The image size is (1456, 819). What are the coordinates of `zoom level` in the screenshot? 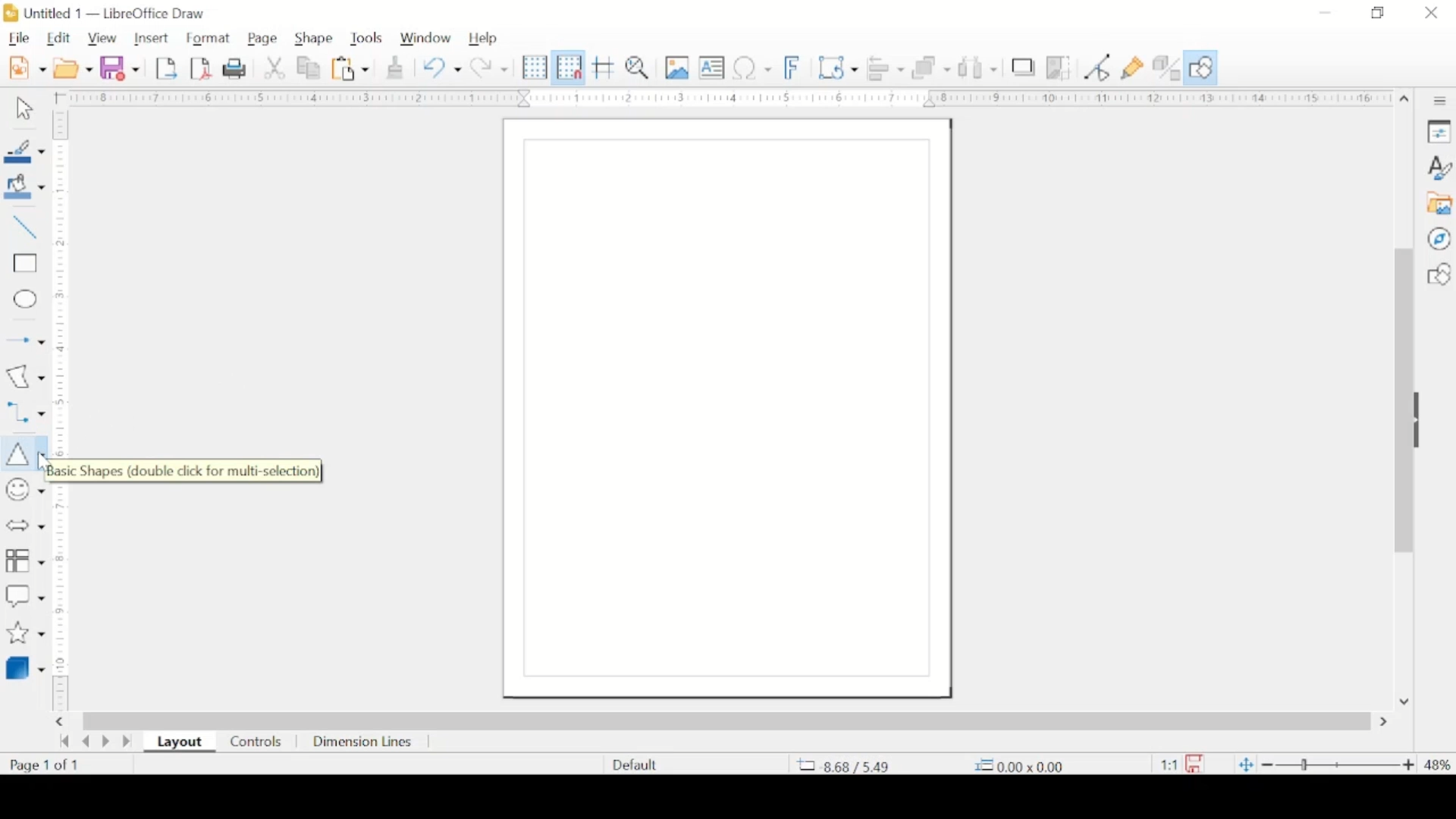 It's located at (1438, 764).